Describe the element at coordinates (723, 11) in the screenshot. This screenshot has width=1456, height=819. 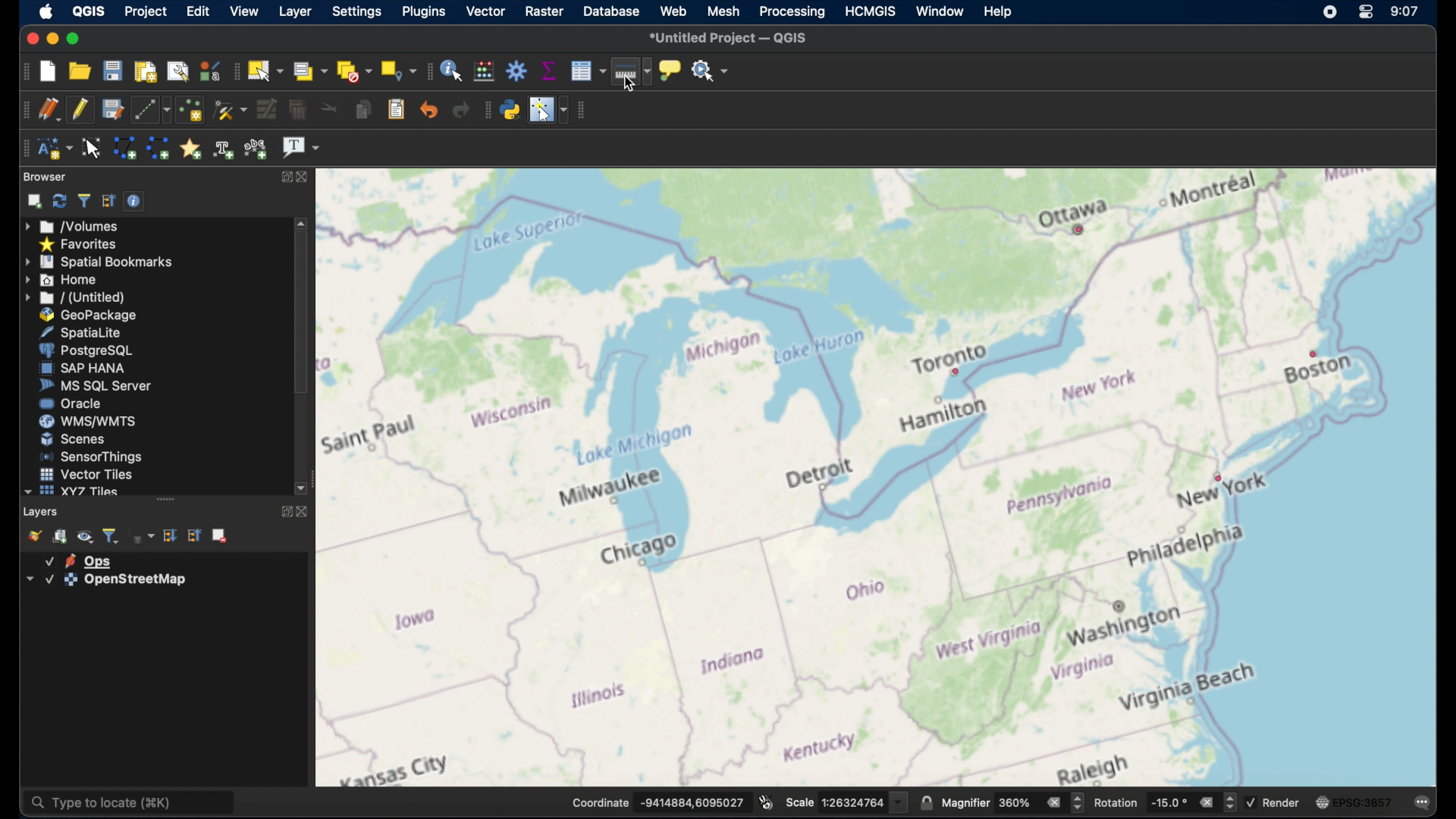
I see `mesh` at that location.